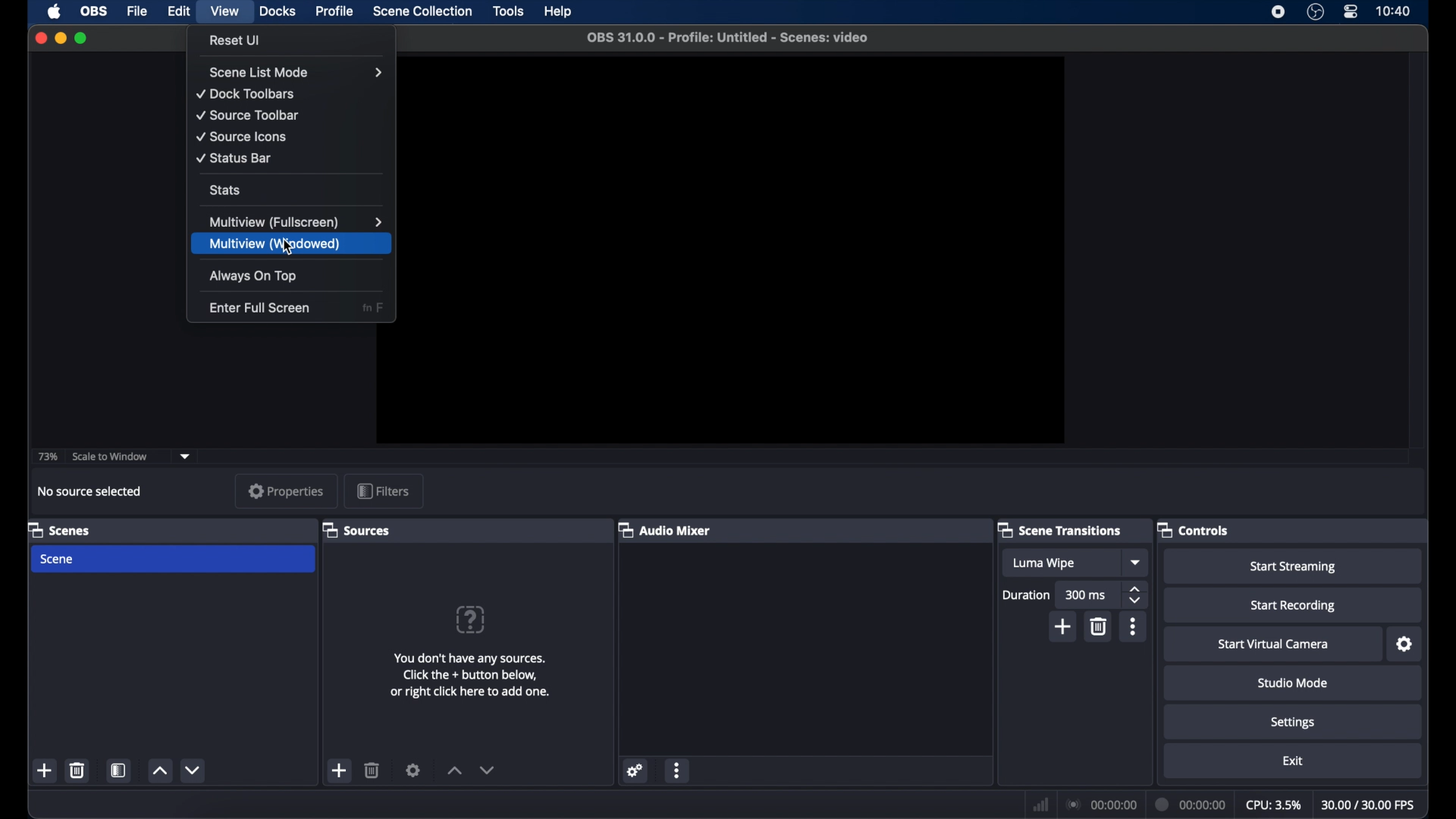 The width and height of the screenshot is (1456, 819). What do you see at coordinates (136, 11) in the screenshot?
I see `file` at bounding box center [136, 11].